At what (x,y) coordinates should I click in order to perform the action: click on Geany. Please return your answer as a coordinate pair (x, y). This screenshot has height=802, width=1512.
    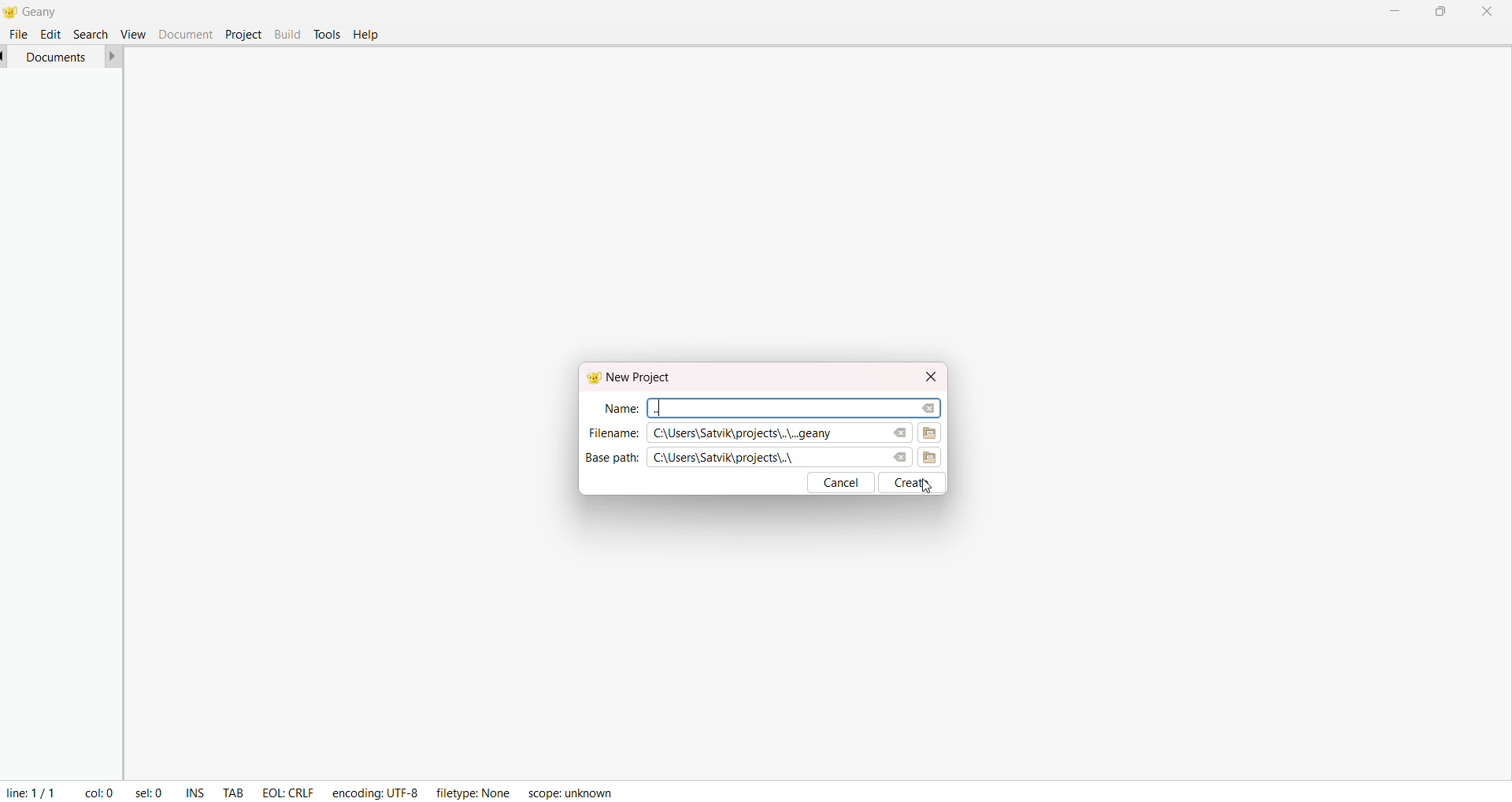
    Looking at the image, I should click on (46, 10).